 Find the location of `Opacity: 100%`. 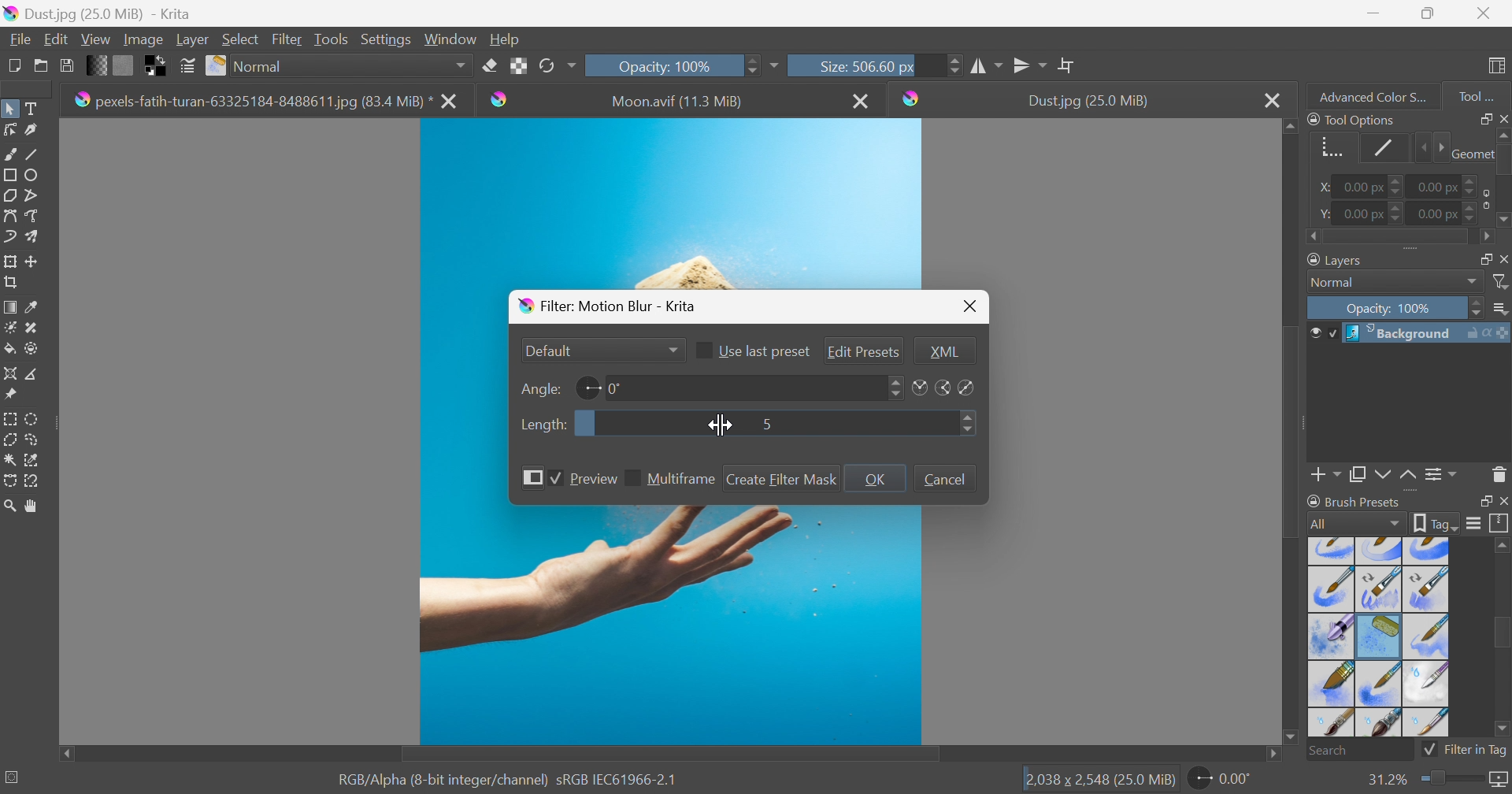

Opacity: 100% is located at coordinates (1392, 310).